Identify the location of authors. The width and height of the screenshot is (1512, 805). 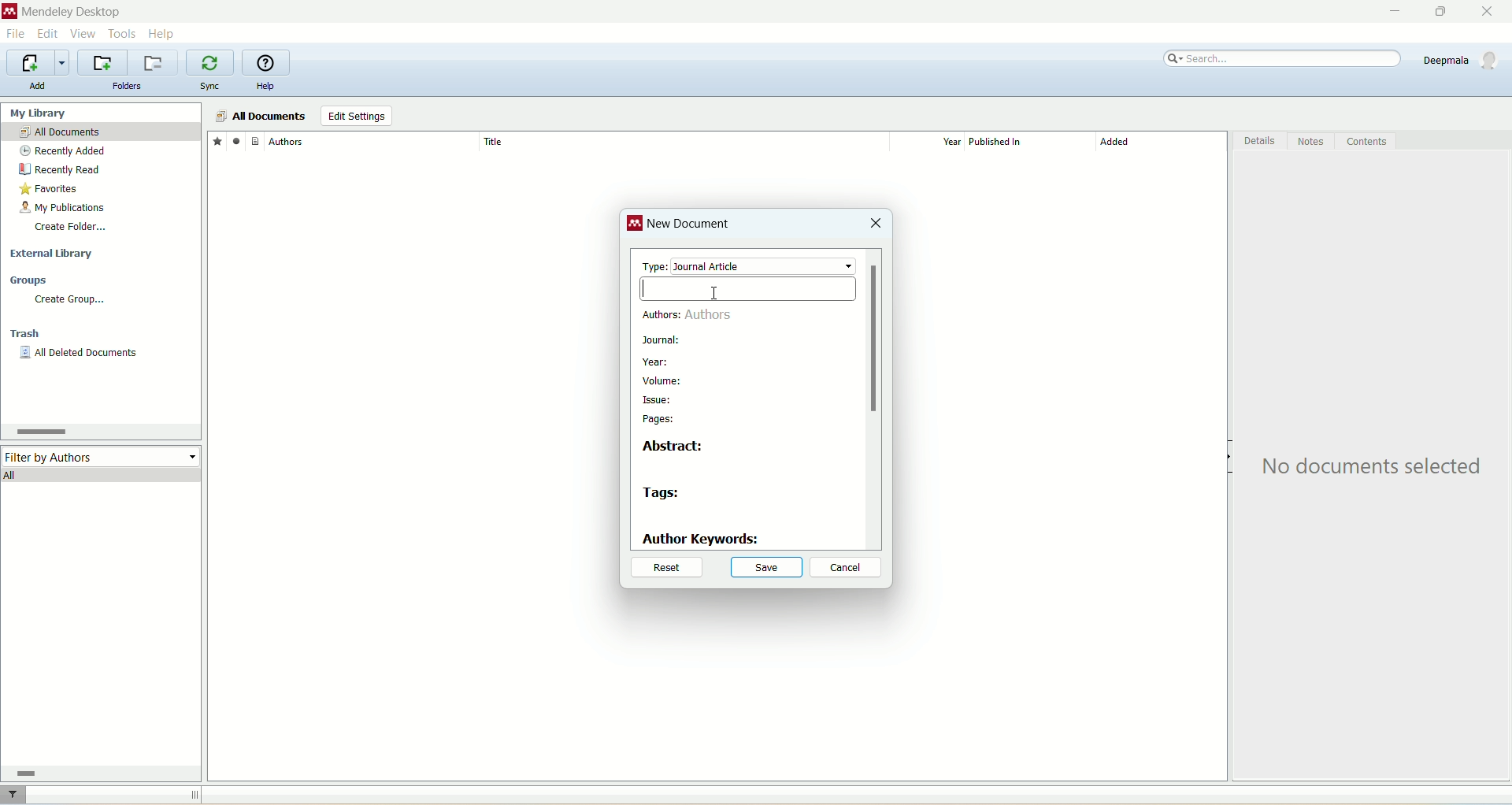
(693, 317).